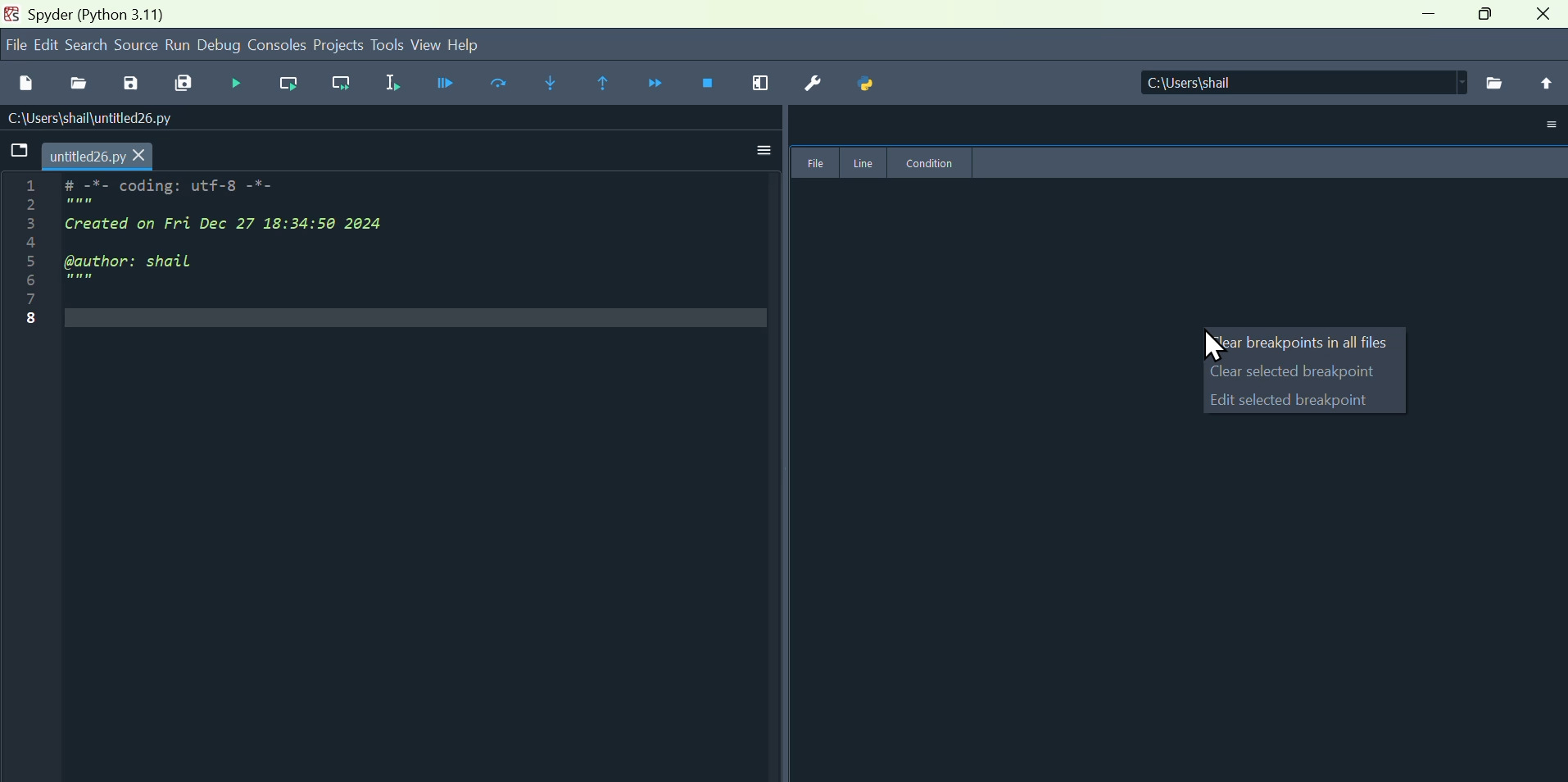 This screenshot has height=782, width=1568. I want to click on C:\Users\shail\untitled26.py, so click(108, 119).